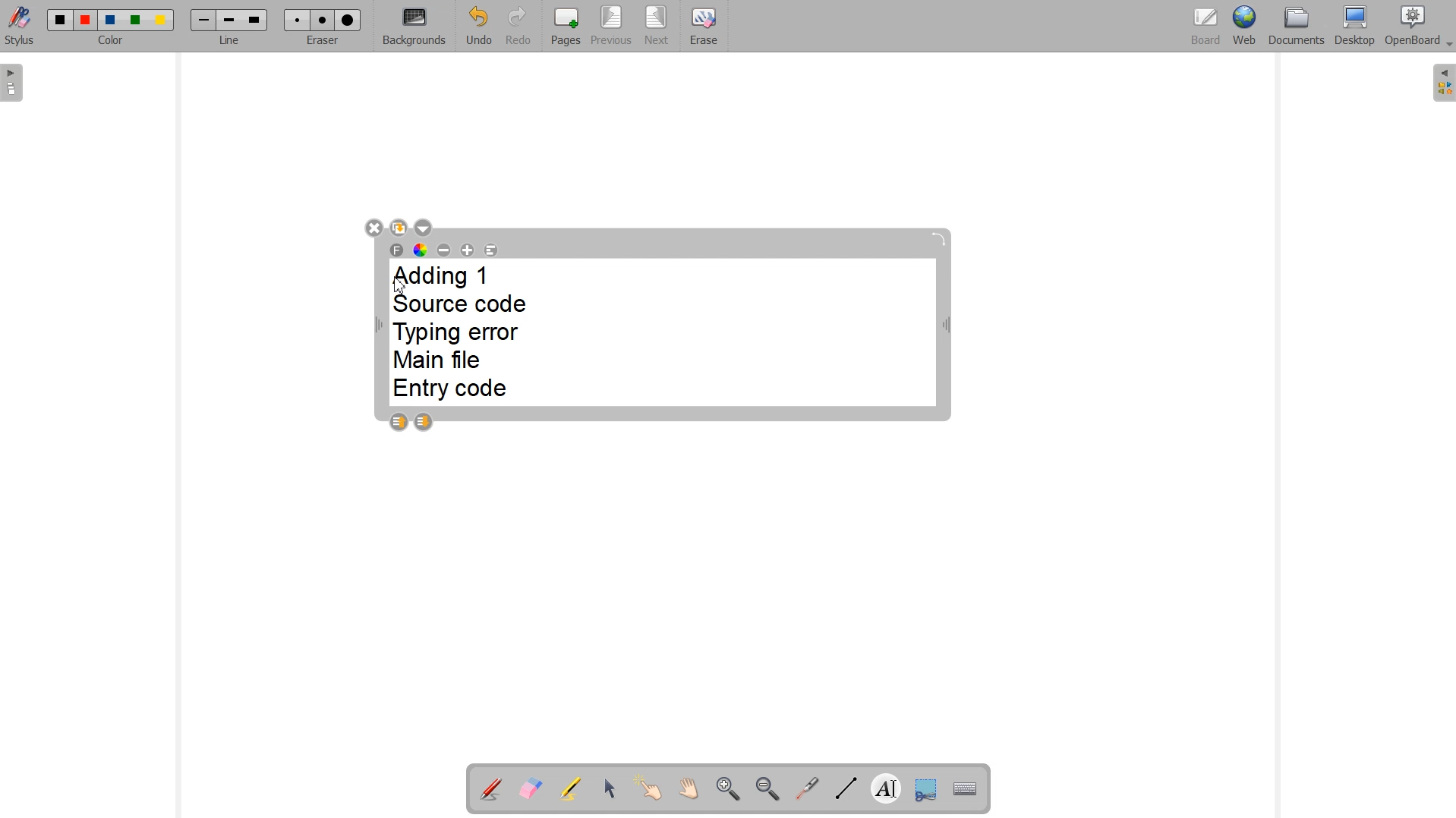  What do you see at coordinates (399, 227) in the screenshot?
I see `Duplicate` at bounding box center [399, 227].